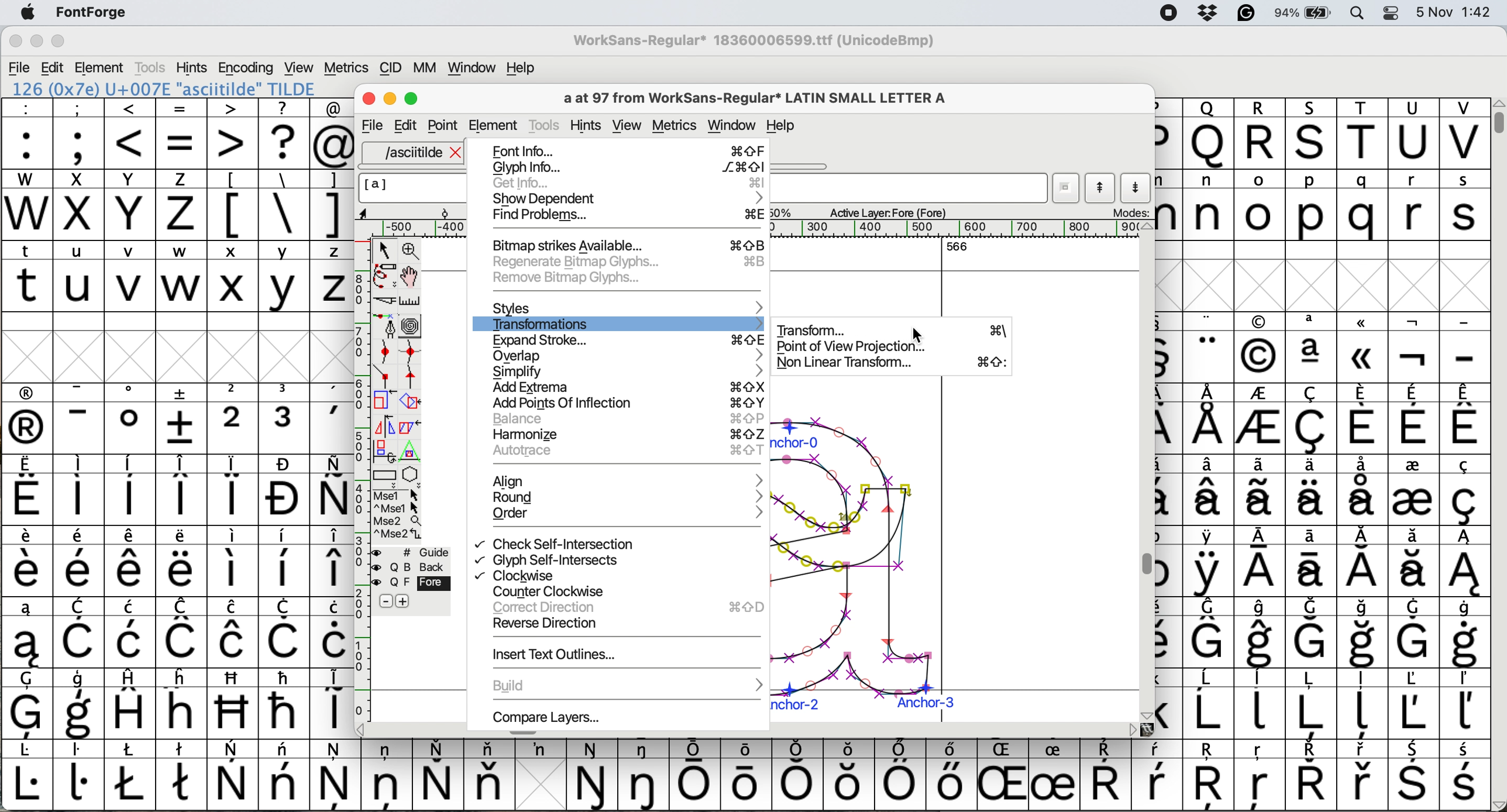 The width and height of the screenshot is (1507, 812). Describe the element at coordinates (1261, 702) in the screenshot. I see `symbol` at that location.